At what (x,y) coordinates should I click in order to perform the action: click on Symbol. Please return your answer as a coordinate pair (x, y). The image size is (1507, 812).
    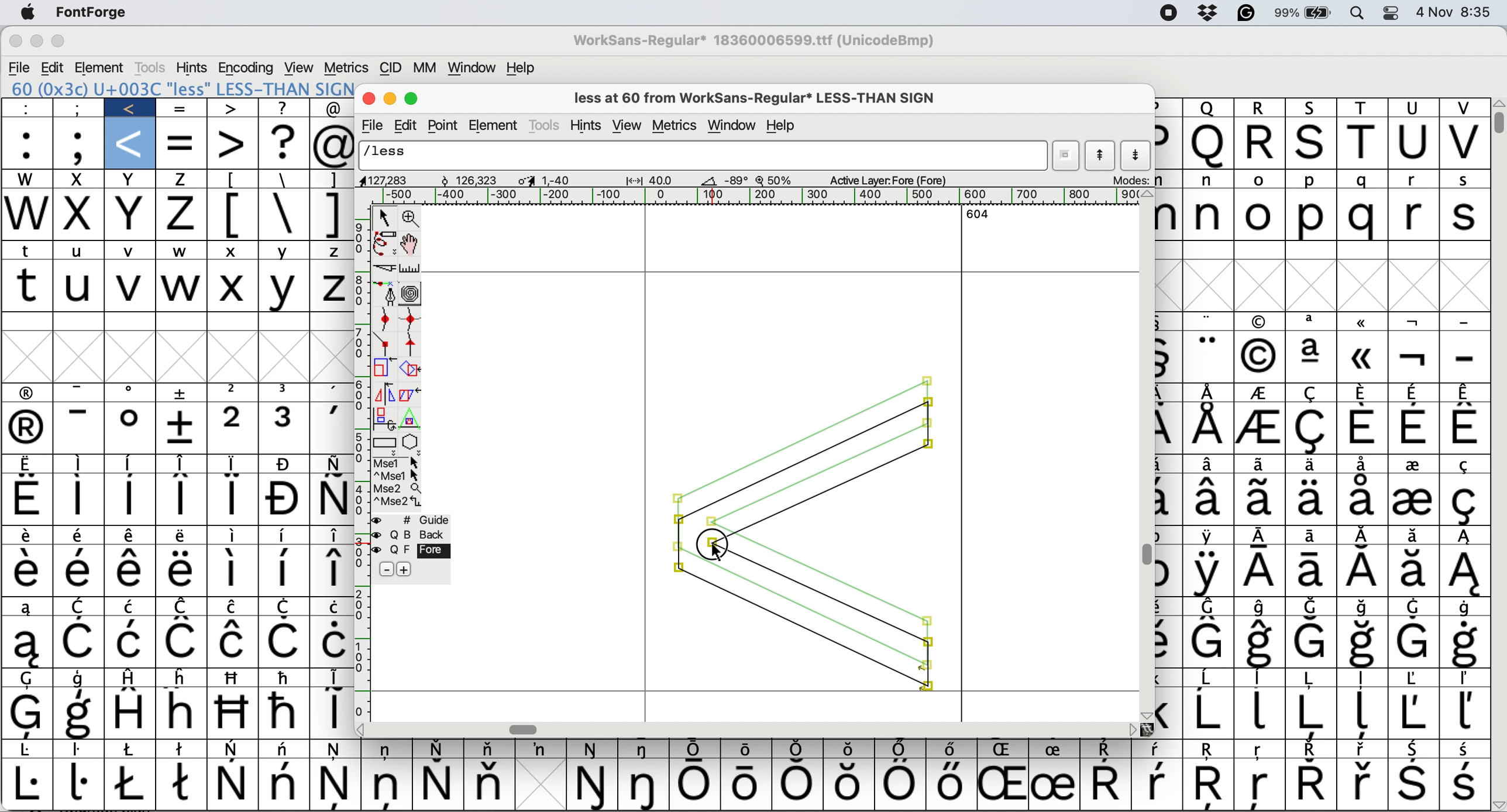
    Looking at the image, I should click on (1003, 750).